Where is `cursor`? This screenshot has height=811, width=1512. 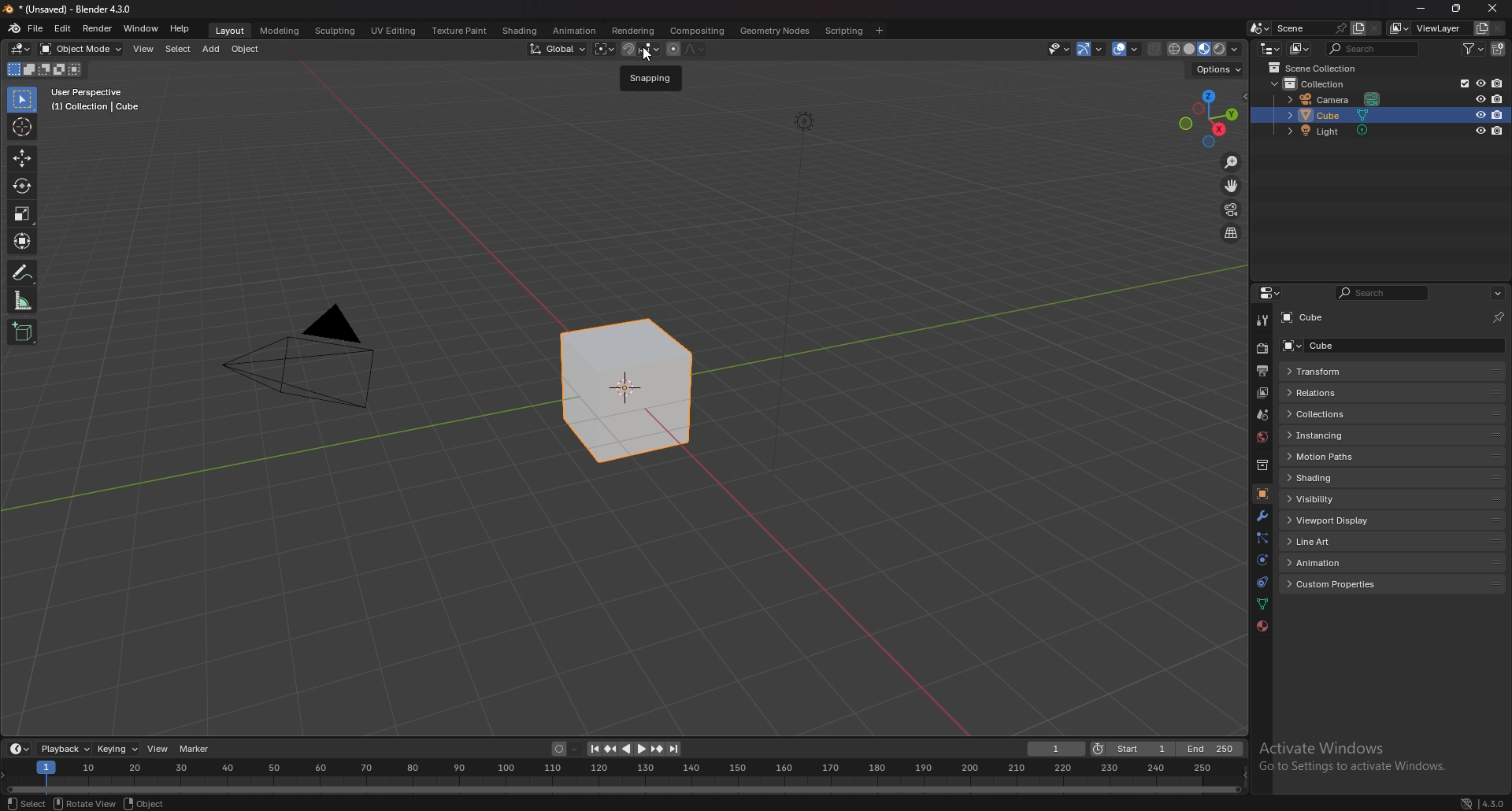
cursor is located at coordinates (650, 55).